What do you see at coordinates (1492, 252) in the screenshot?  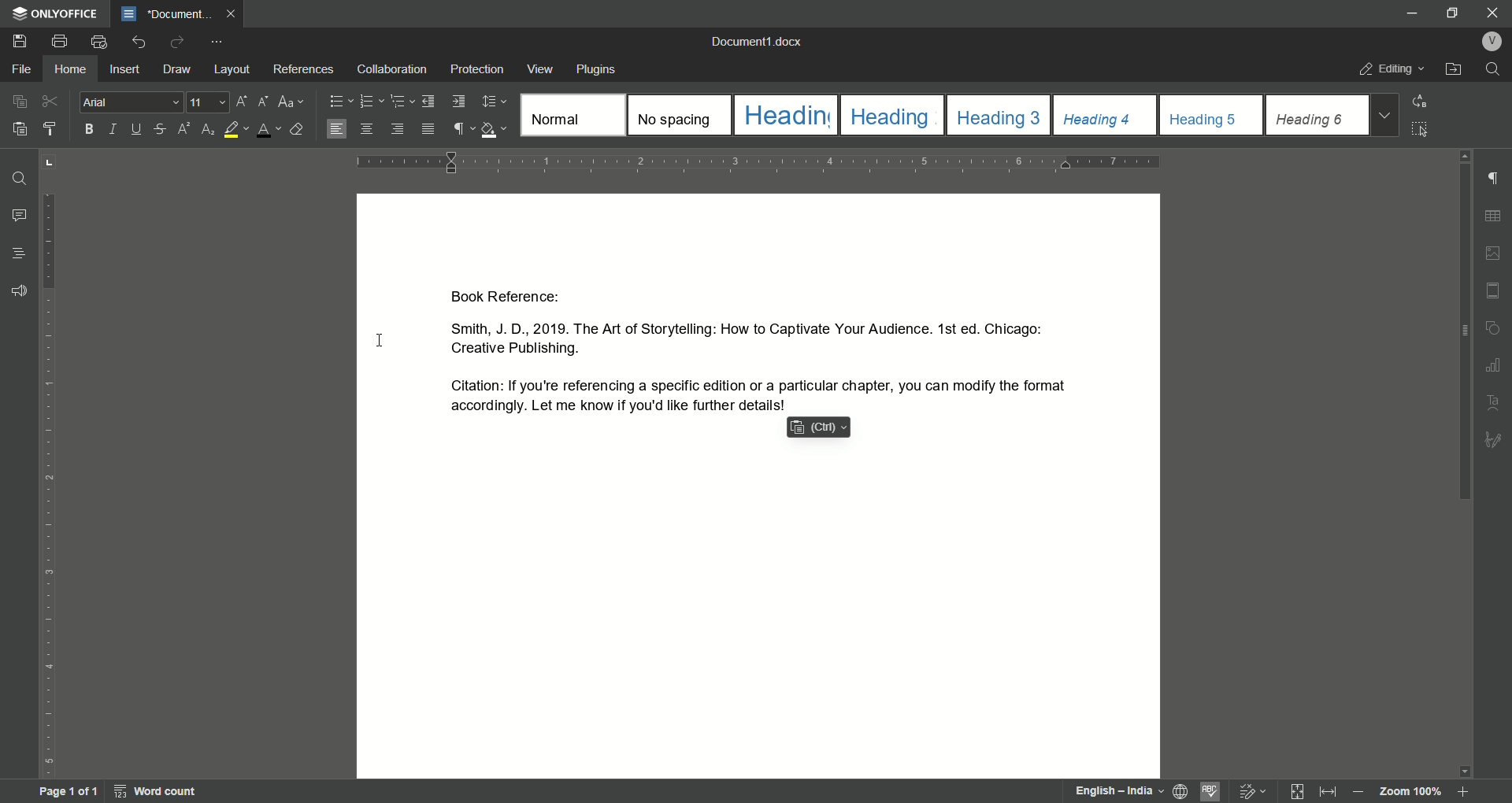 I see `image` at bounding box center [1492, 252].